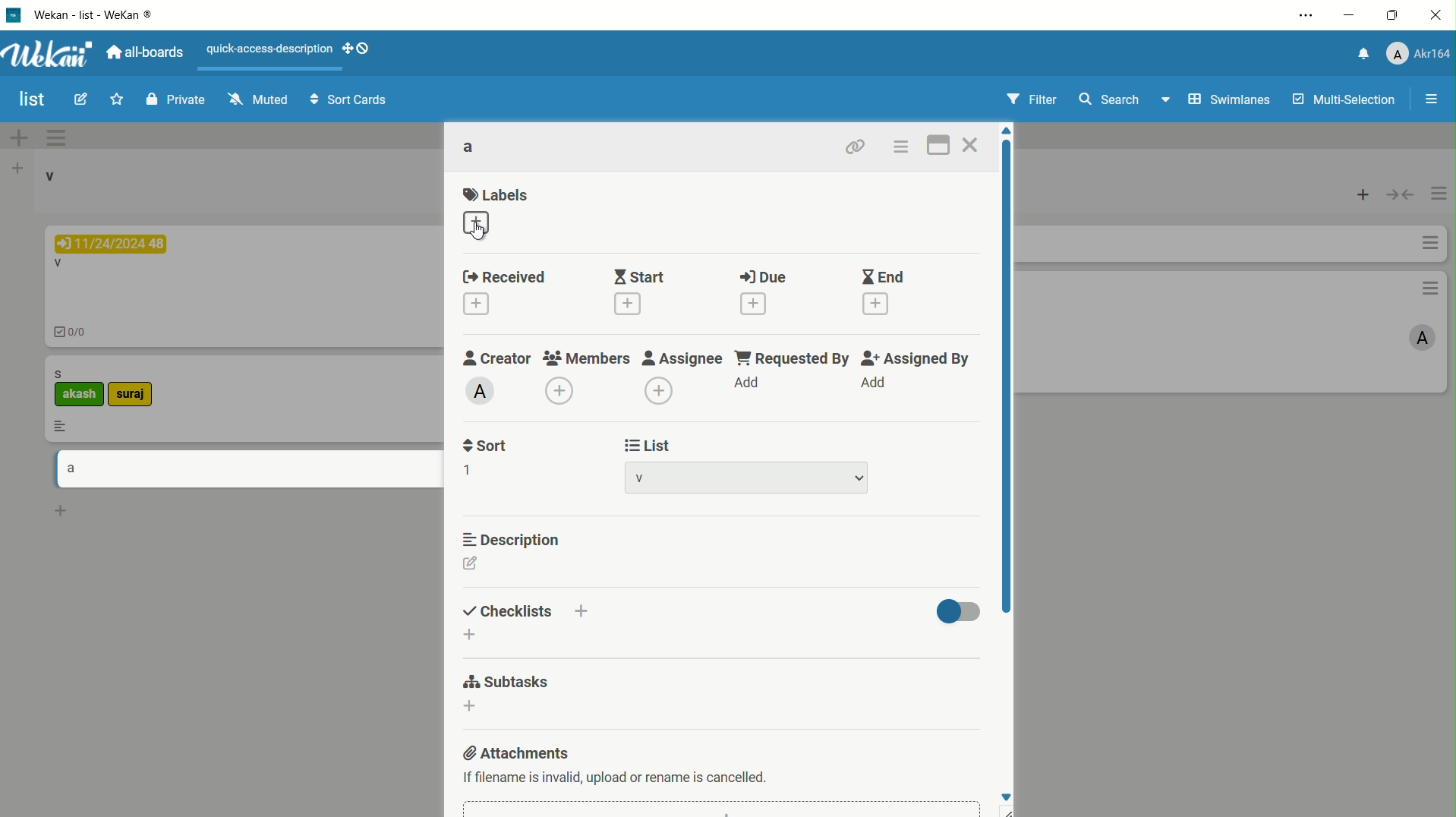  Describe the element at coordinates (747, 380) in the screenshot. I see `add` at that location.